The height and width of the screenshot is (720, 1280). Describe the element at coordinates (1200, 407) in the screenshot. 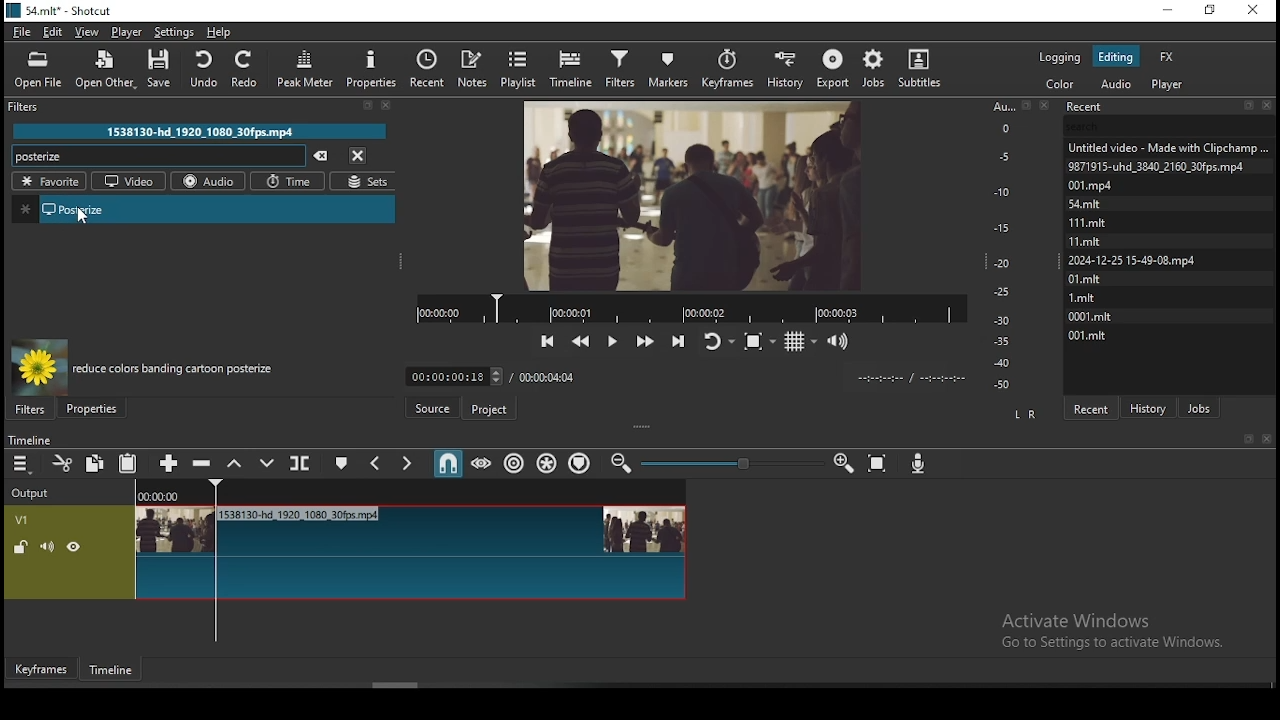

I see `jobs` at that location.